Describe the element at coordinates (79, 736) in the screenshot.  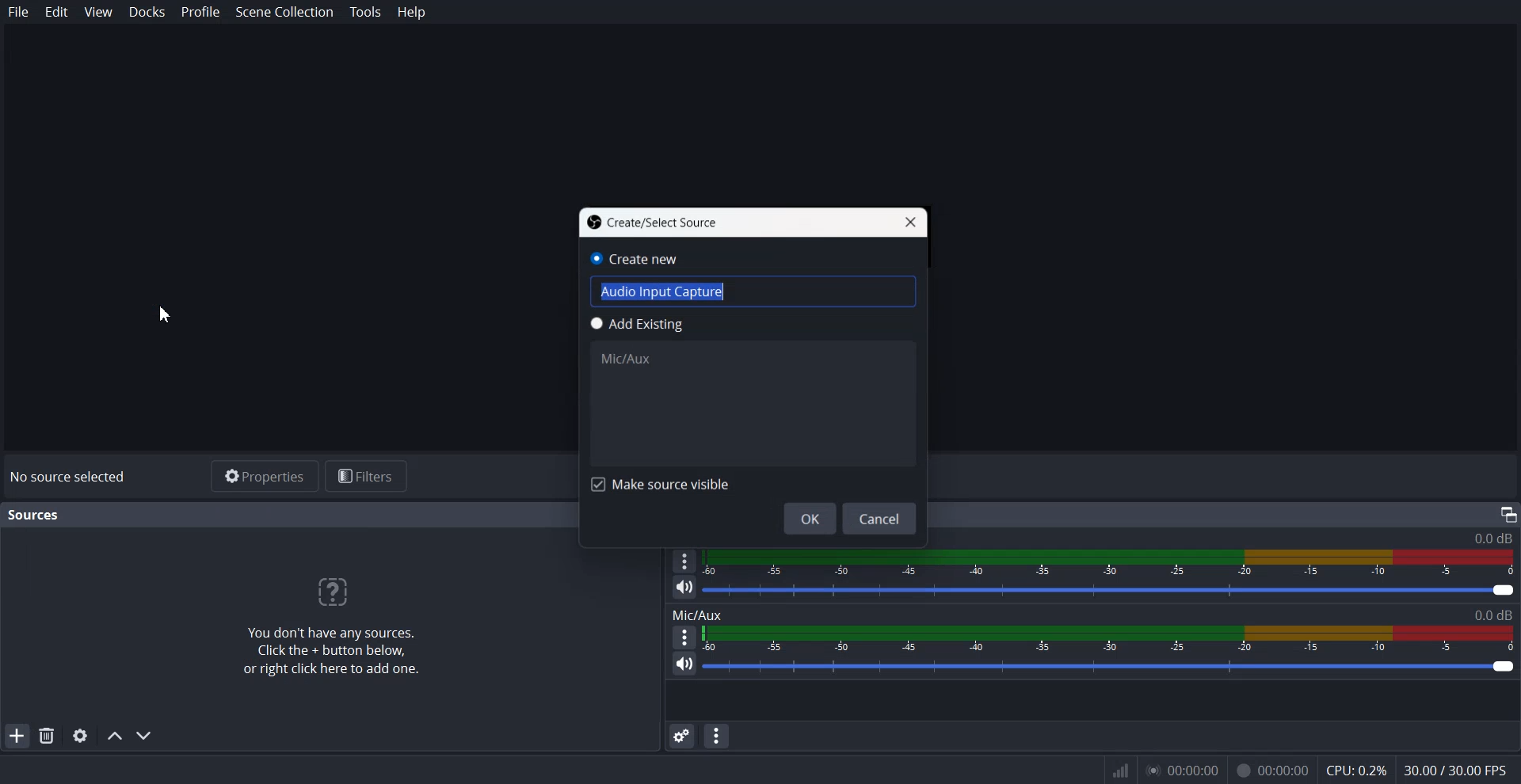
I see `Open source properties` at that location.